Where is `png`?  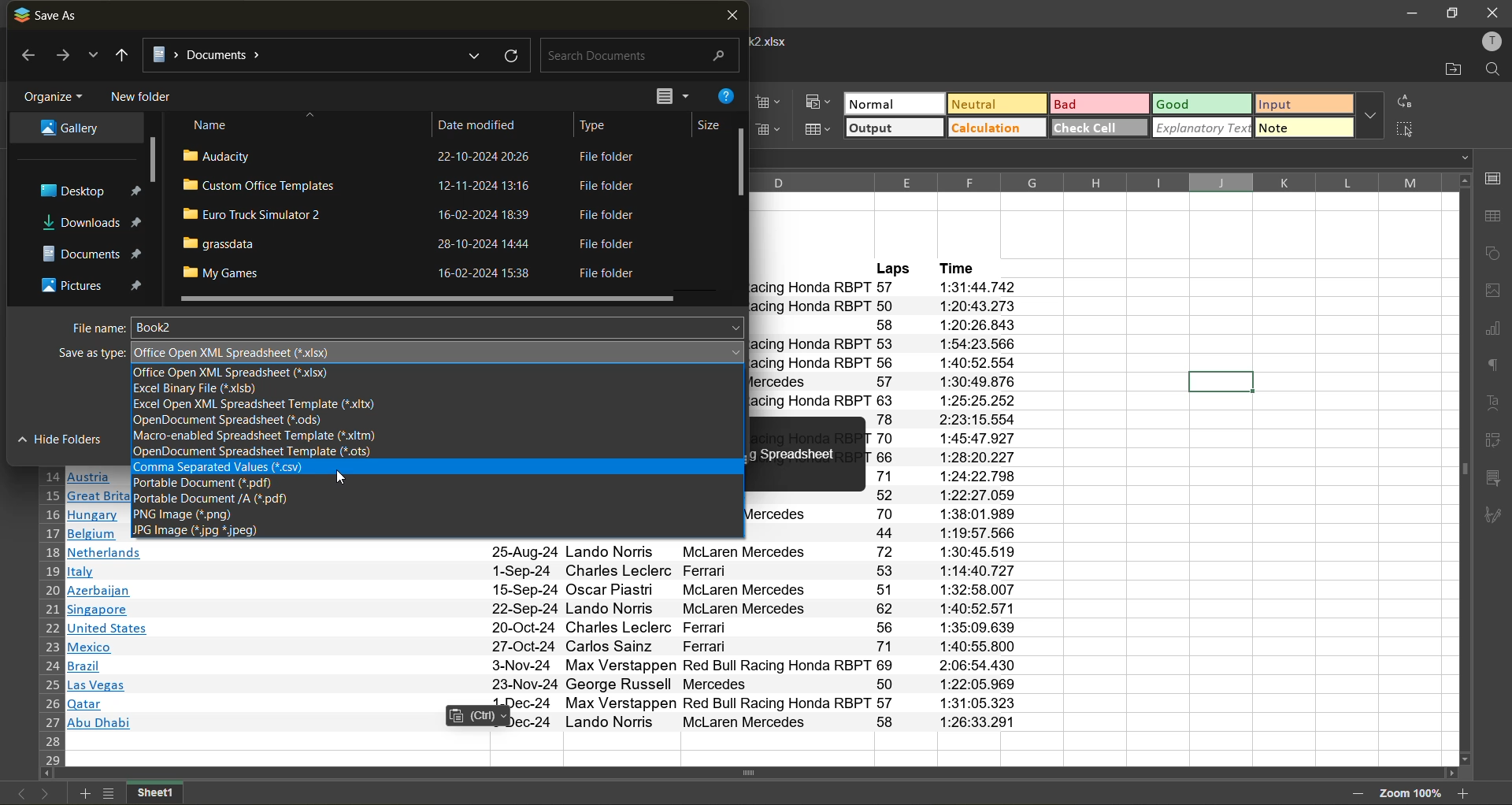 png is located at coordinates (189, 514).